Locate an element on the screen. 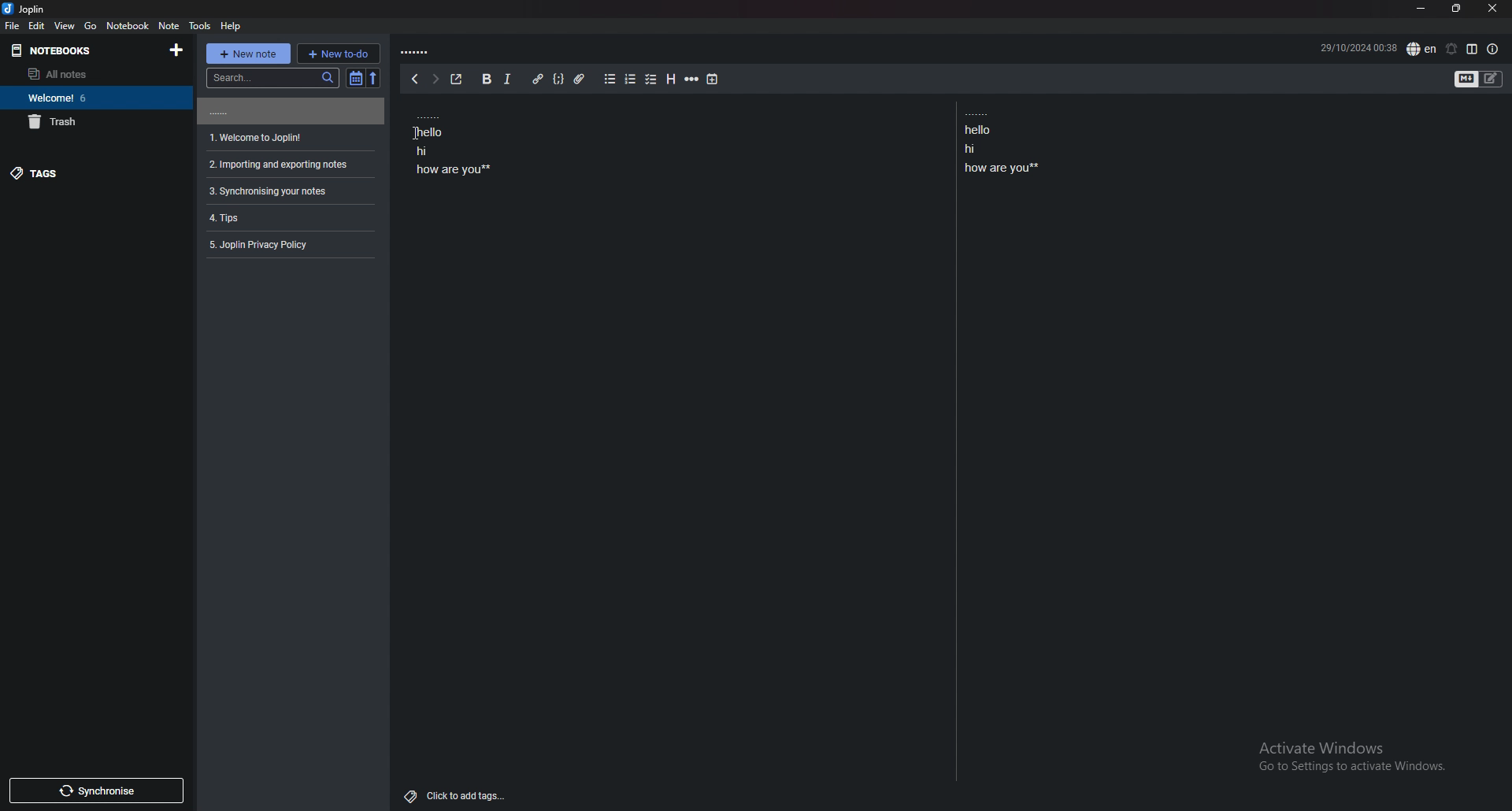 This screenshot has height=811, width=1512. trash is located at coordinates (96, 122).